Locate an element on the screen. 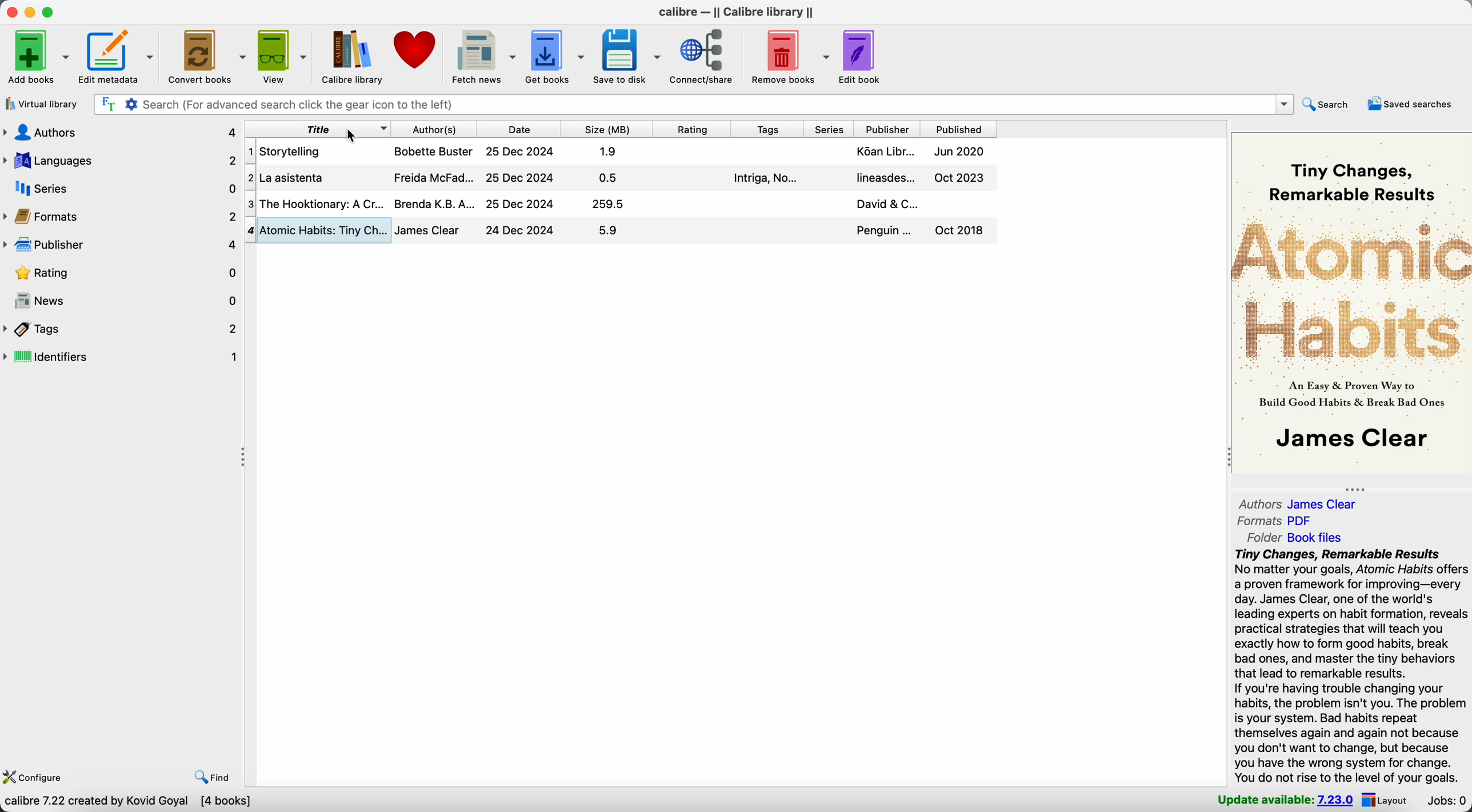  configure is located at coordinates (37, 775).